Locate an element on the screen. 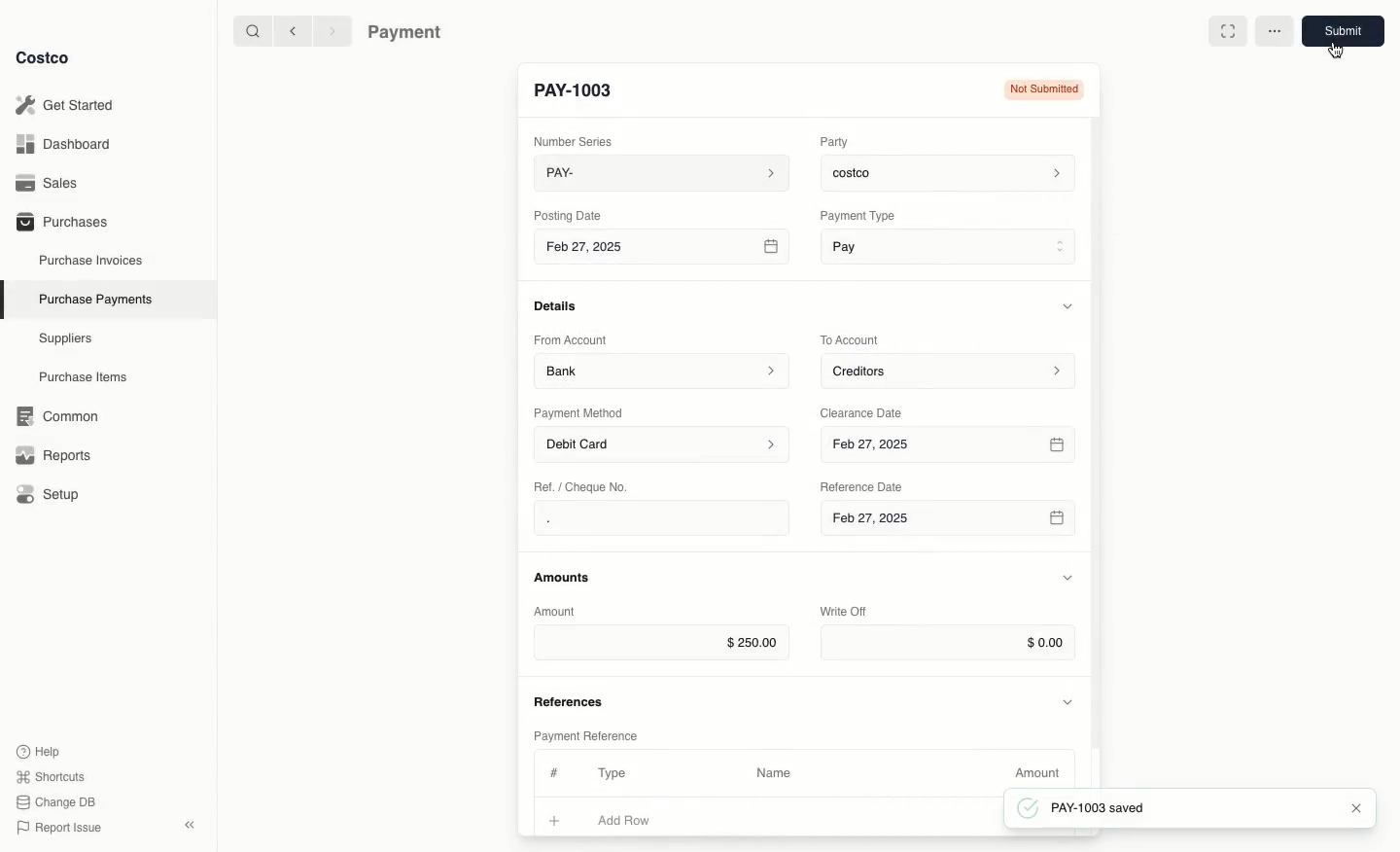 The width and height of the screenshot is (1400, 852). Setup is located at coordinates (54, 496).